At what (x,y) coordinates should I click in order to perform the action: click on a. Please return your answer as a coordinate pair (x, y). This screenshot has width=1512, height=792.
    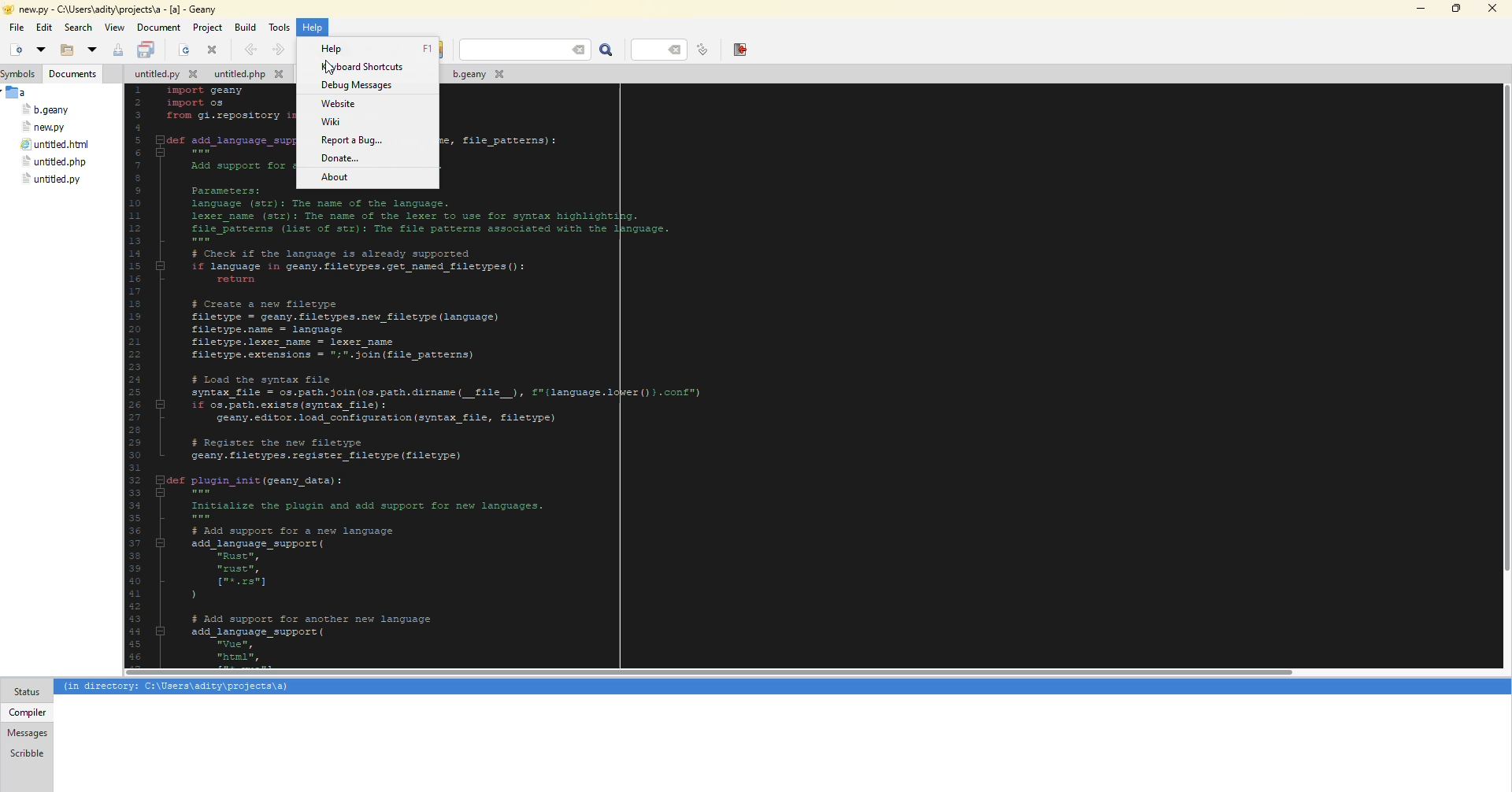
    Looking at the image, I should click on (18, 92).